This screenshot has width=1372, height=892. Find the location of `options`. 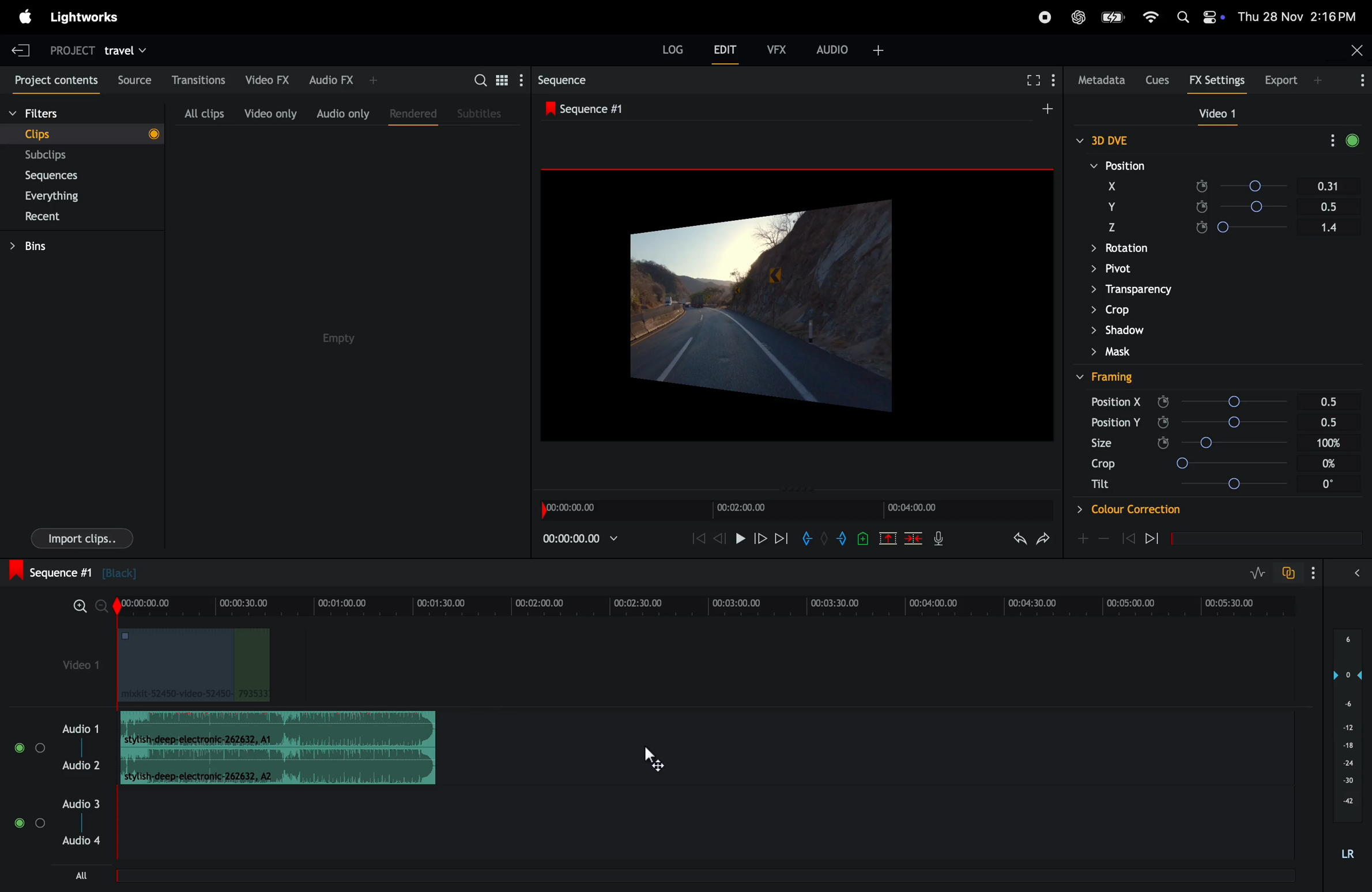

options is located at coordinates (1360, 572).